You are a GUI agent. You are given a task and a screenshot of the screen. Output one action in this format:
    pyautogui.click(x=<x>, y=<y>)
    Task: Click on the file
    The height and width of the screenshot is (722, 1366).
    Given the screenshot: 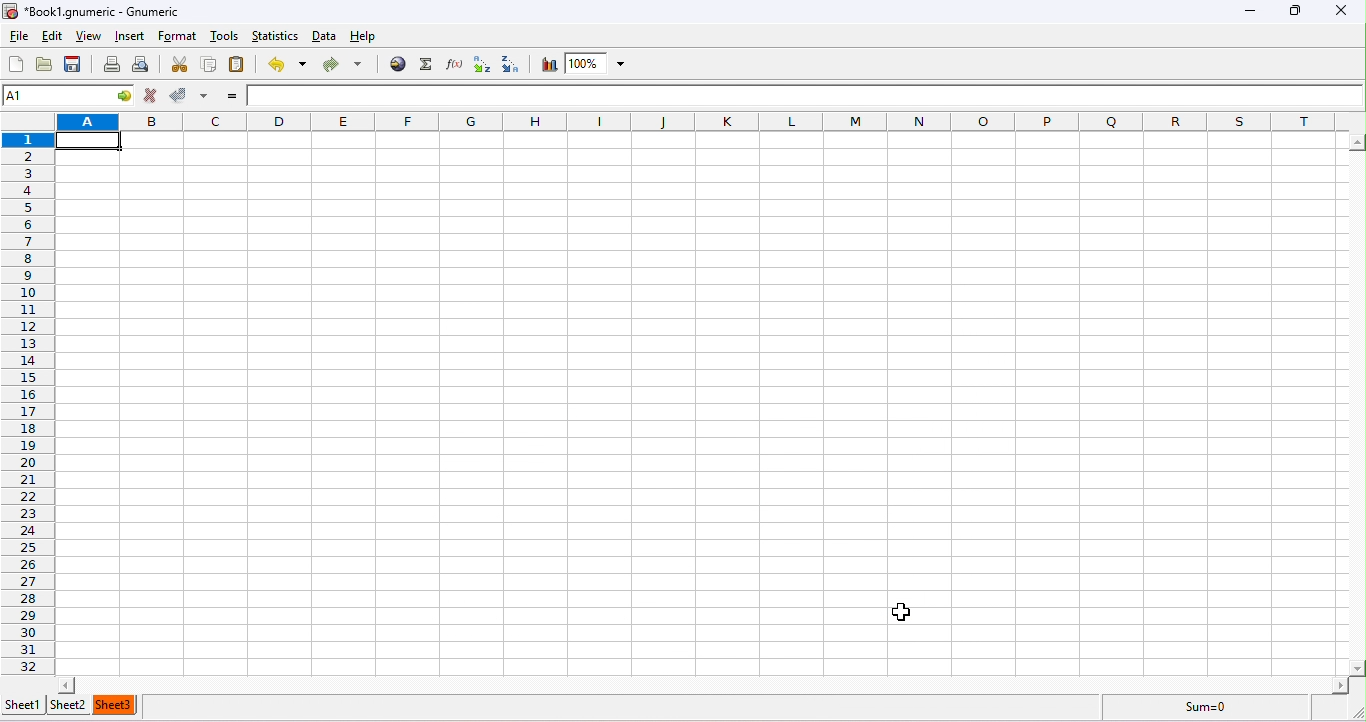 What is the action you would take?
    pyautogui.click(x=18, y=35)
    